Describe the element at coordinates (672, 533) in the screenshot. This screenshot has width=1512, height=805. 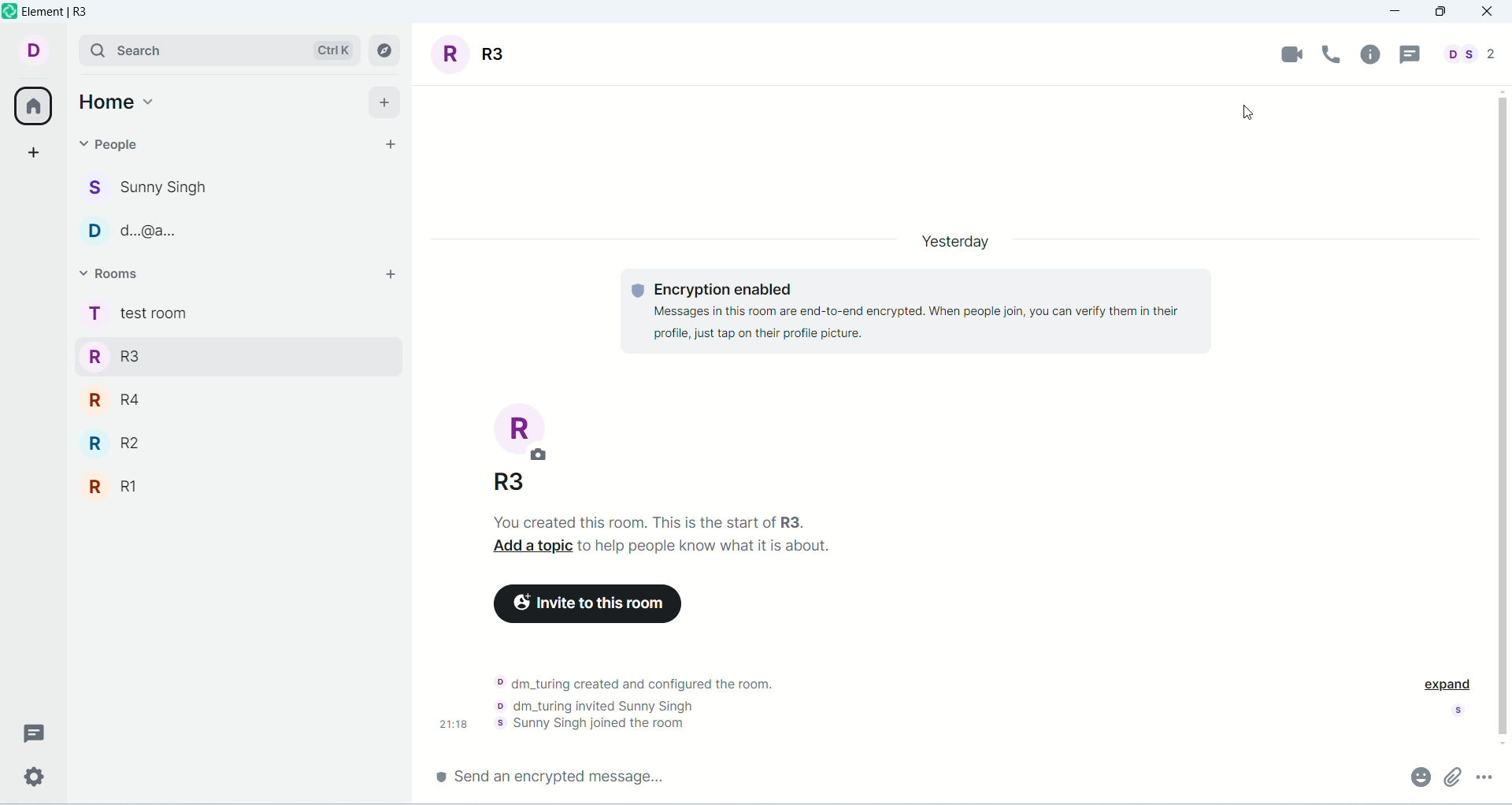
I see `text` at that location.